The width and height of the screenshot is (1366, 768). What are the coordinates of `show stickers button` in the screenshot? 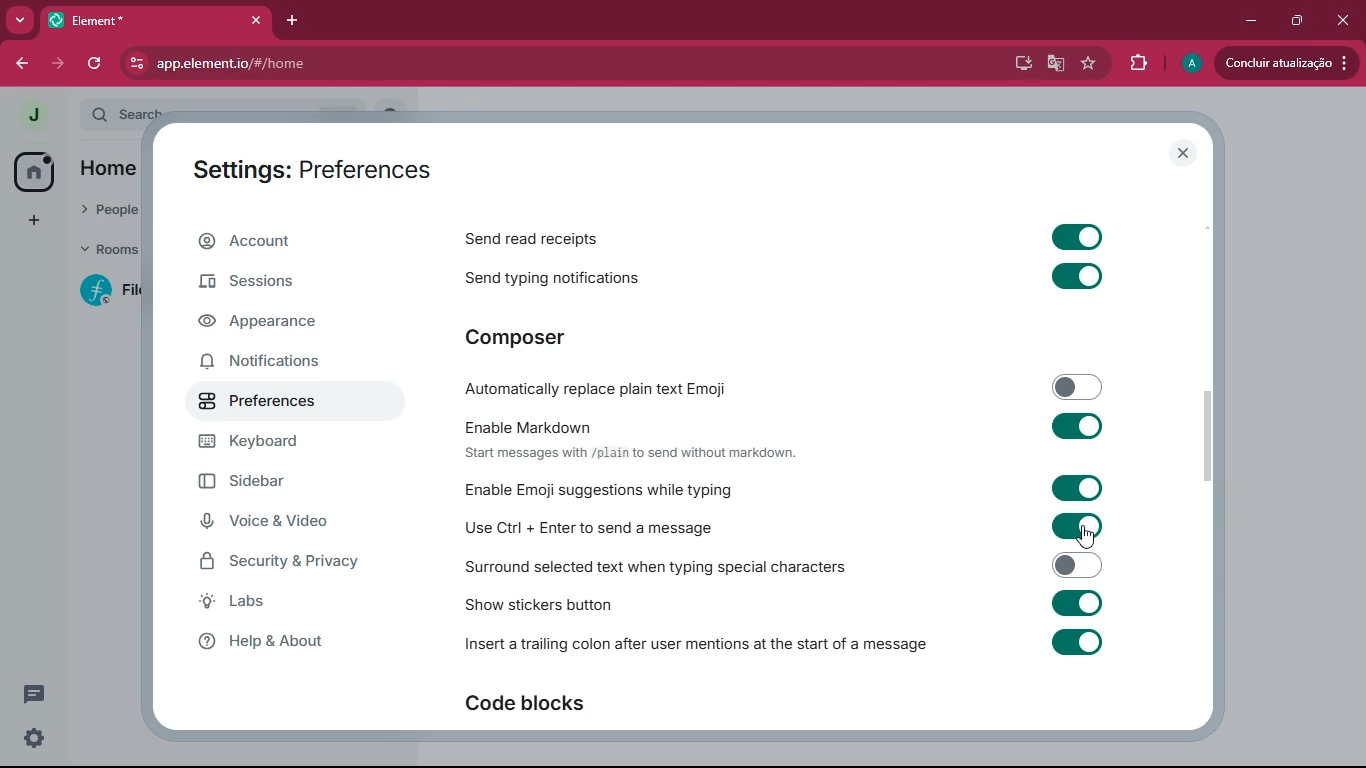 It's located at (540, 606).